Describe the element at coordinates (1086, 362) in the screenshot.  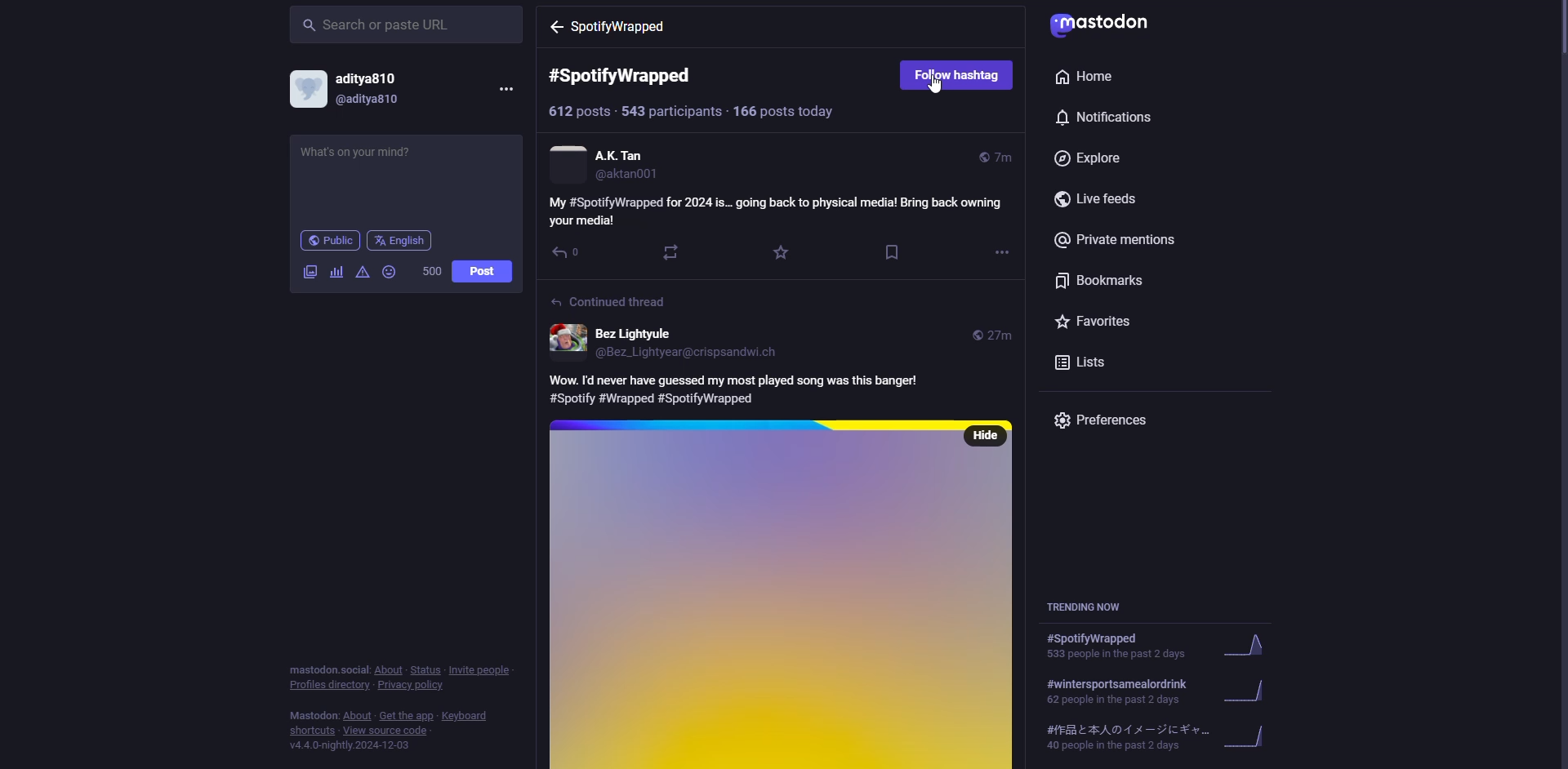
I see `lists` at that location.